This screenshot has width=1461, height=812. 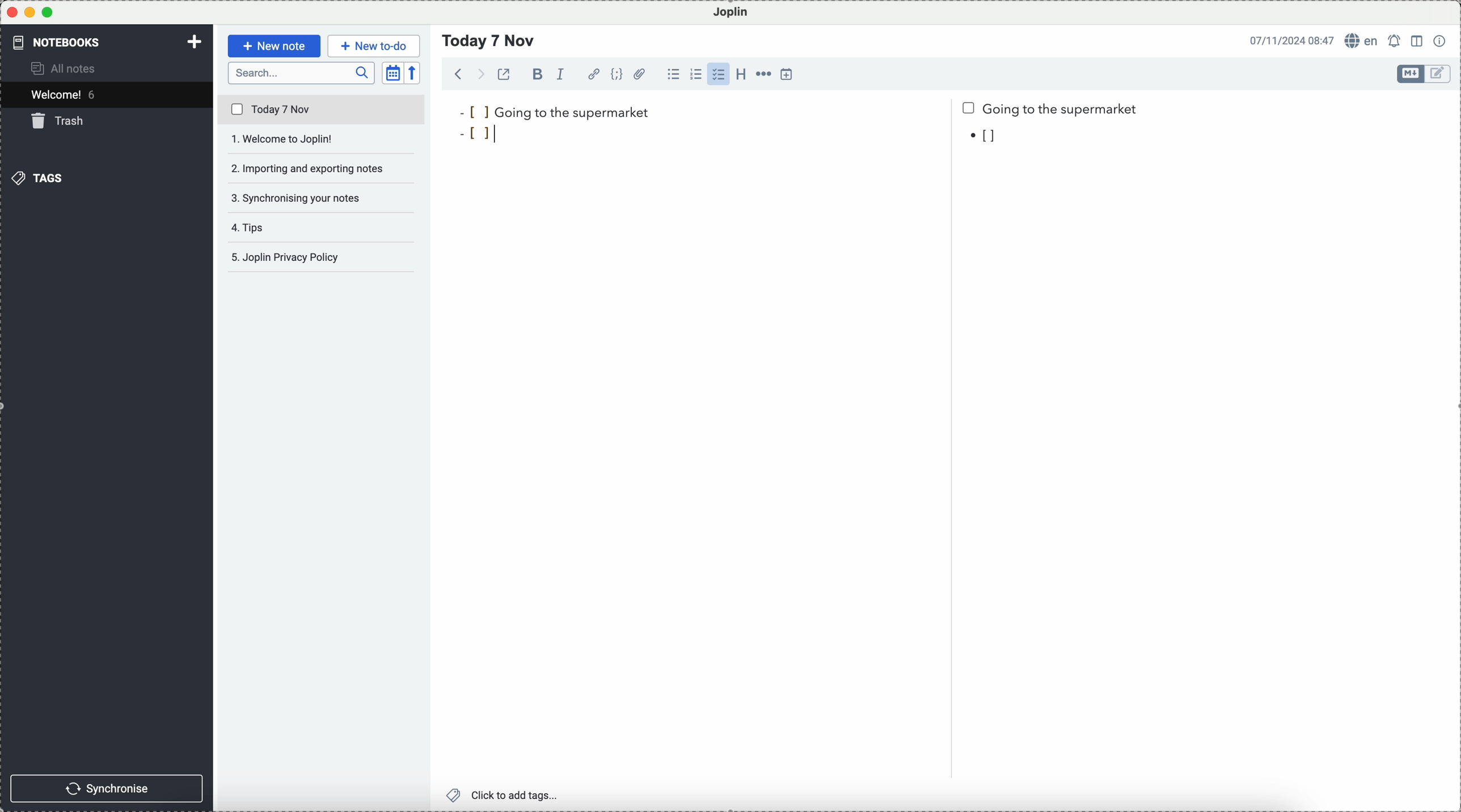 I want to click on going to the supermarket check box, so click(x=1053, y=109).